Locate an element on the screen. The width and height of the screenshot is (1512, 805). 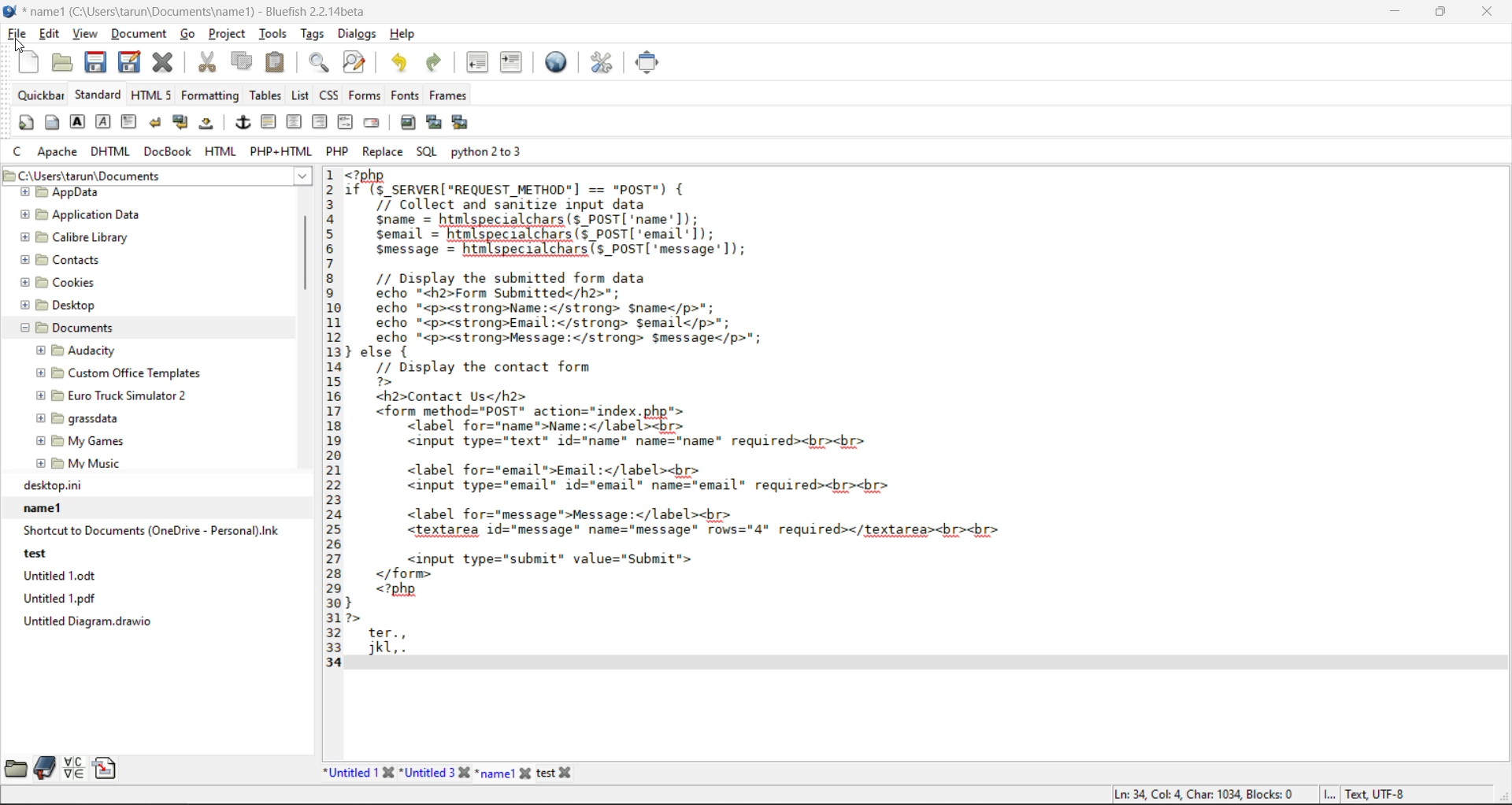
folder explorer is located at coordinates (138, 329).